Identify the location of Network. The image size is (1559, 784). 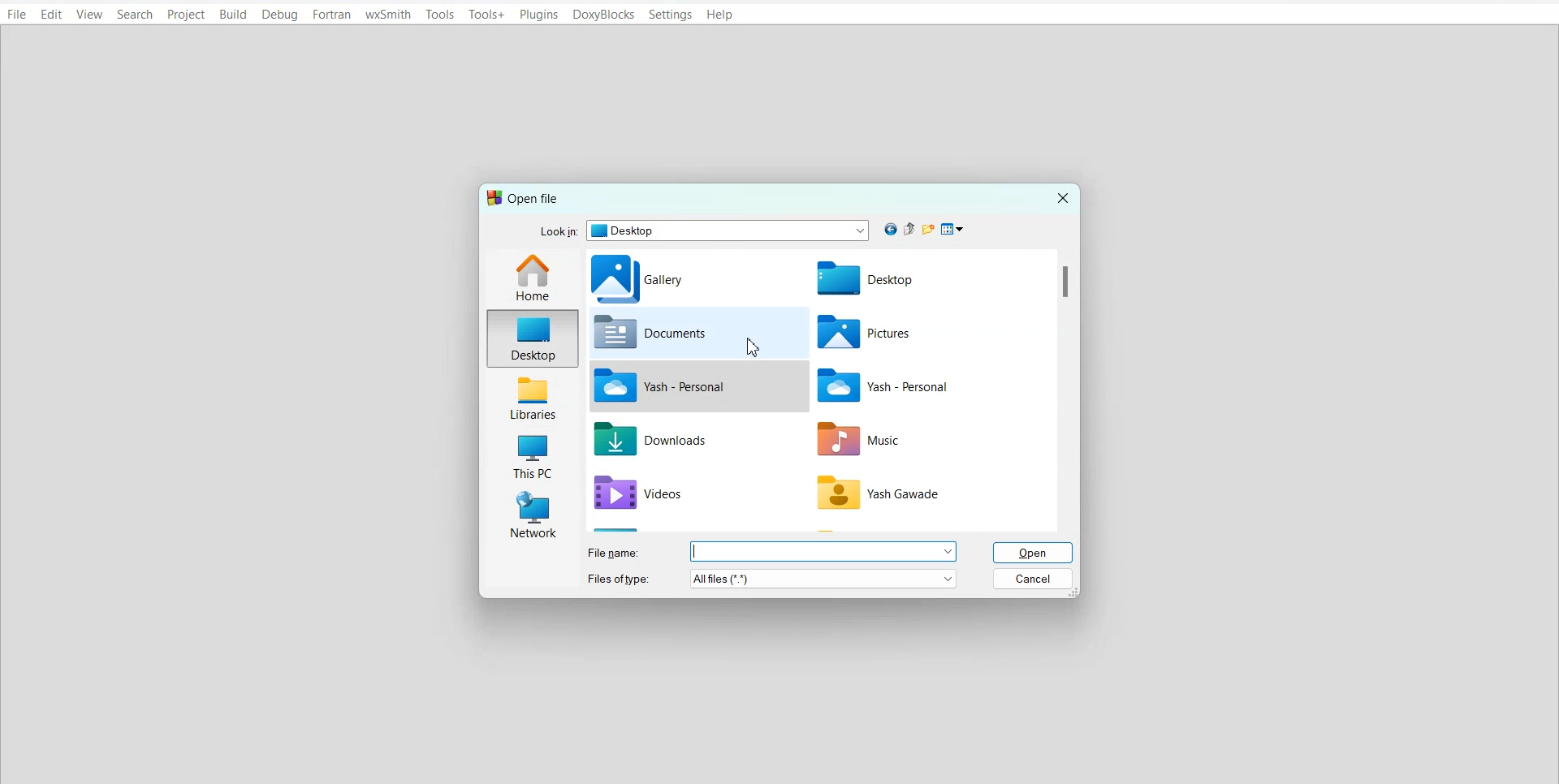
(525, 515).